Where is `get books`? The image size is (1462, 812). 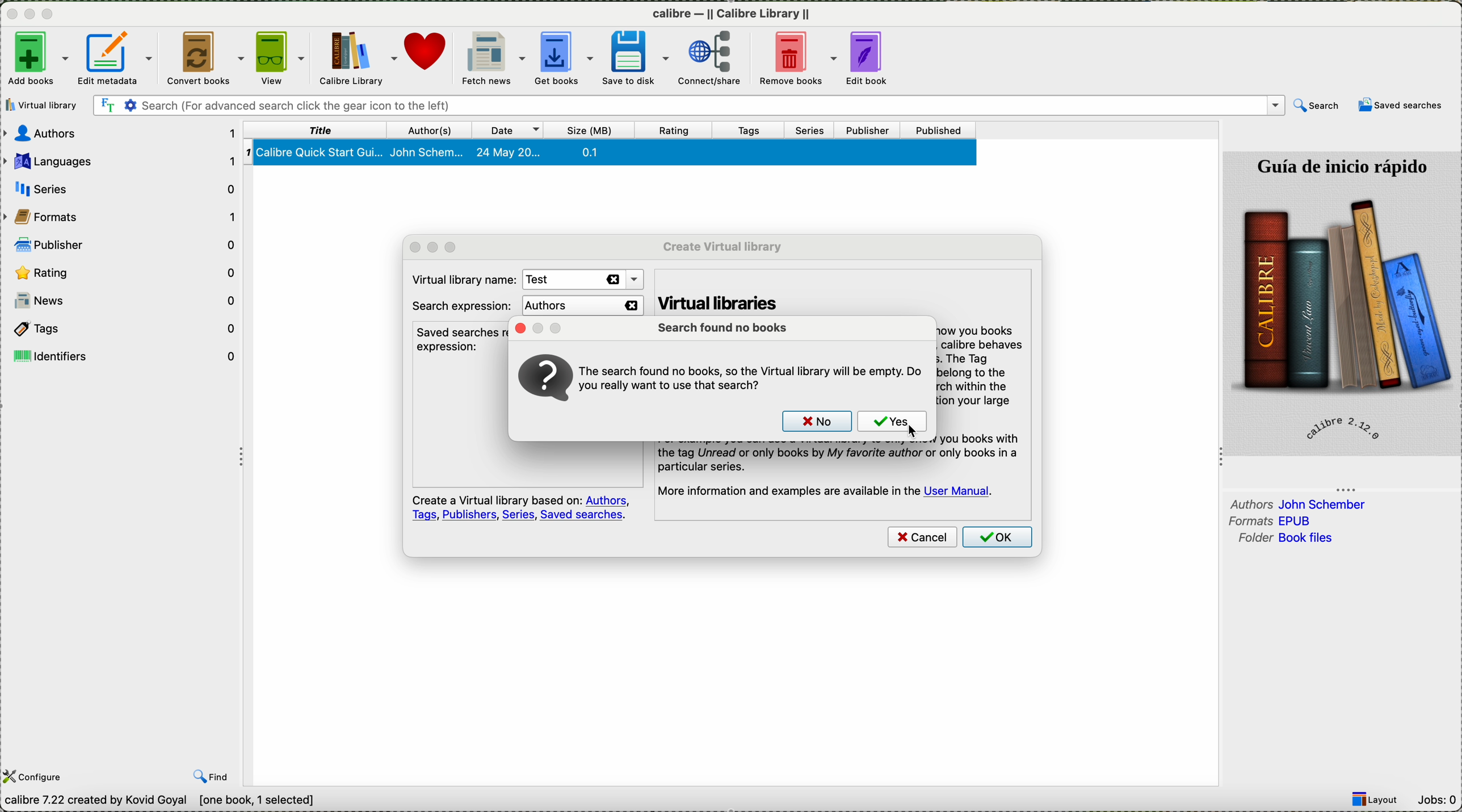 get books is located at coordinates (565, 60).